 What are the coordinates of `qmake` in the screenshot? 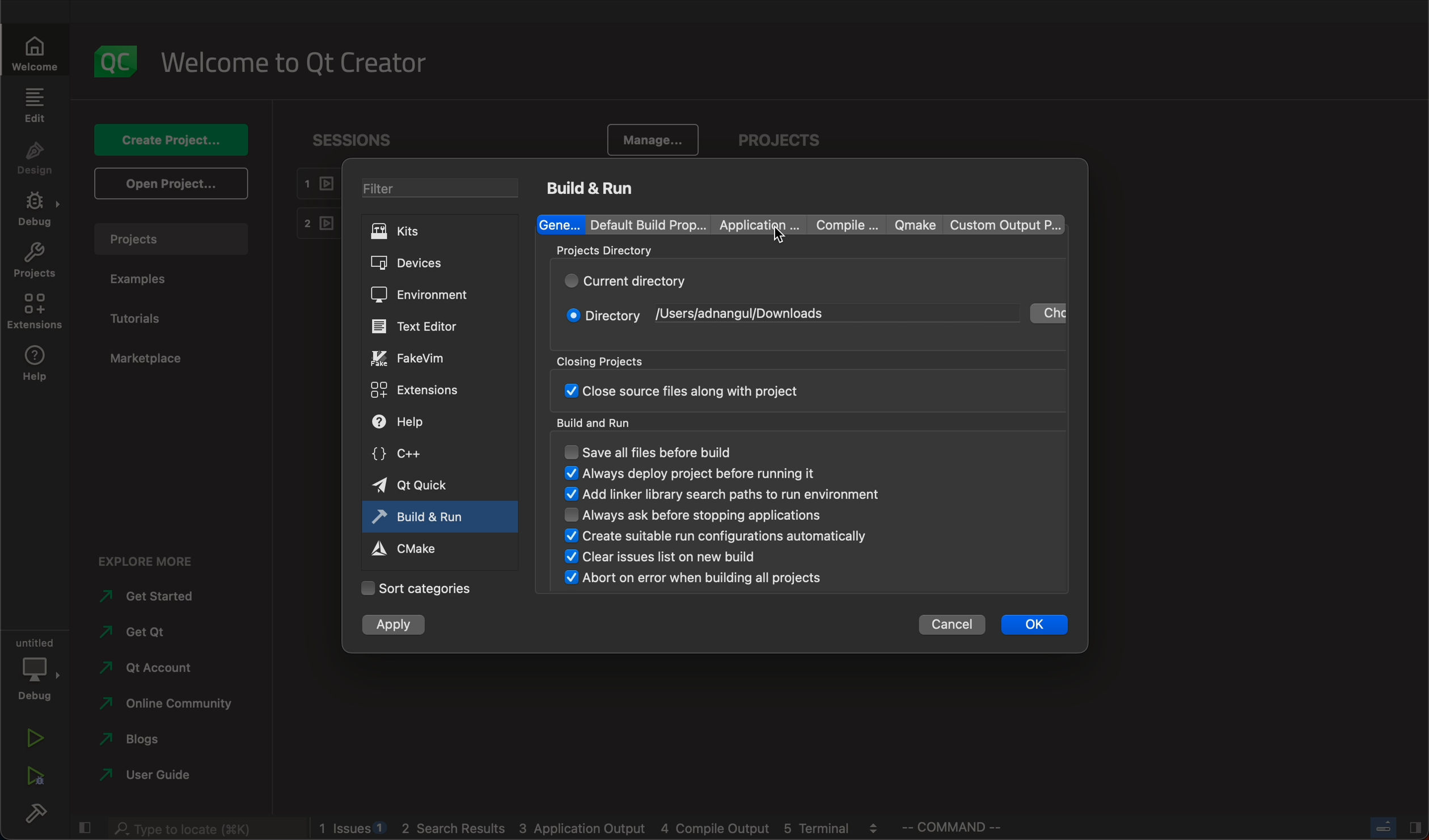 It's located at (911, 224).